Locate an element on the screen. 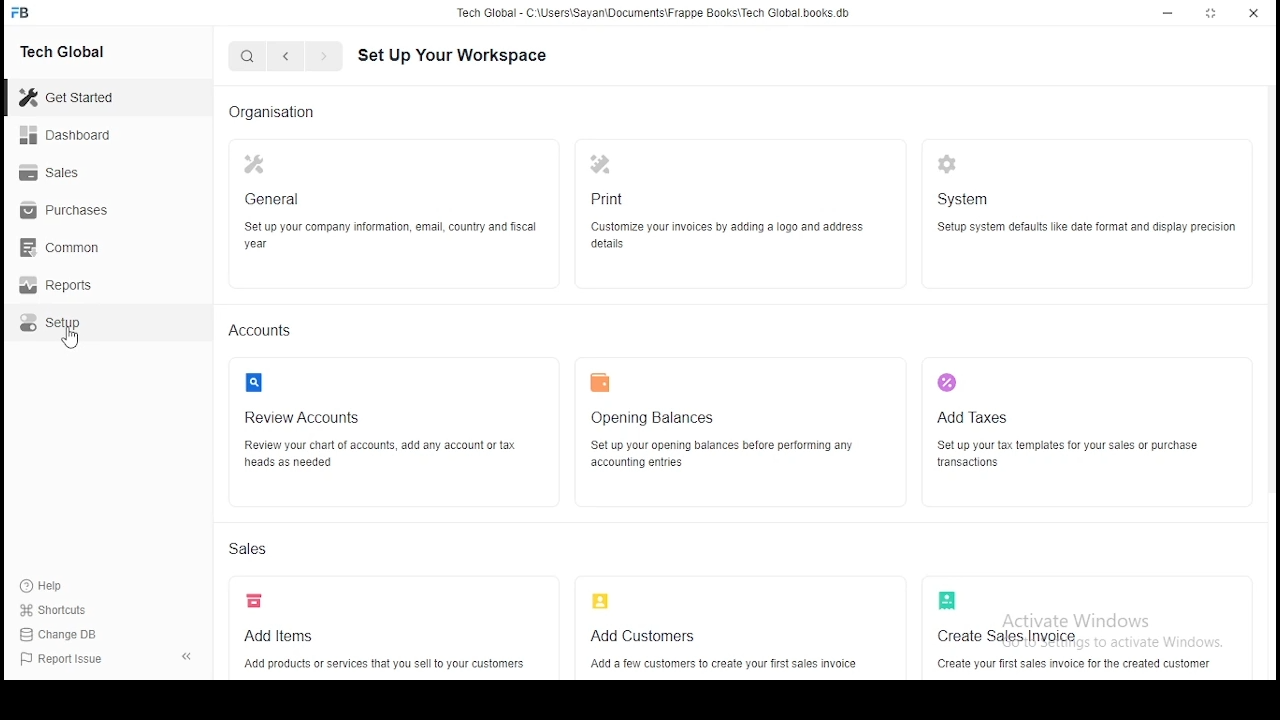  go back  is located at coordinates (287, 57).